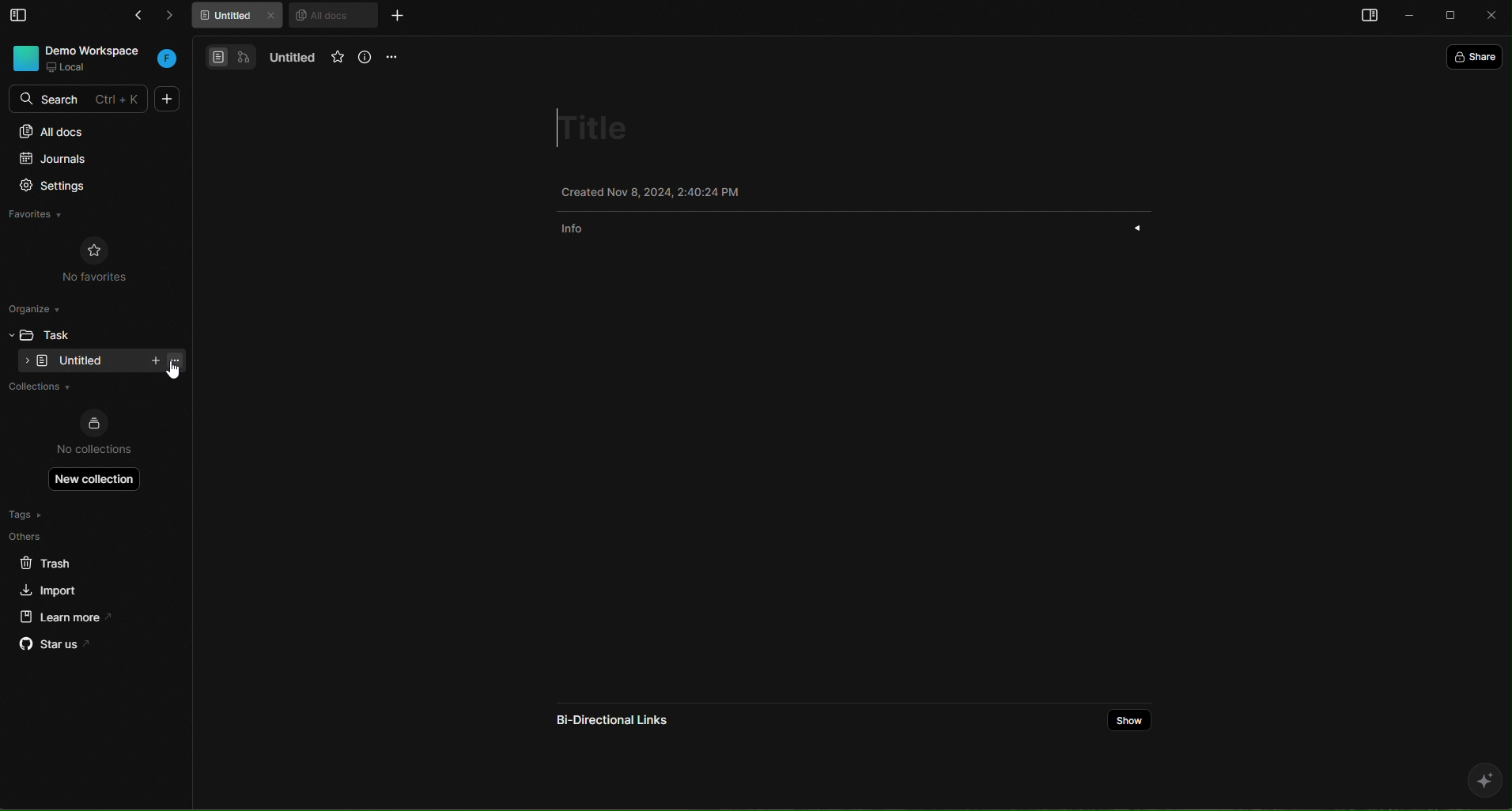 This screenshot has height=811, width=1512. Describe the element at coordinates (95, 478) in the screenshot. I see `new collection` at that location.